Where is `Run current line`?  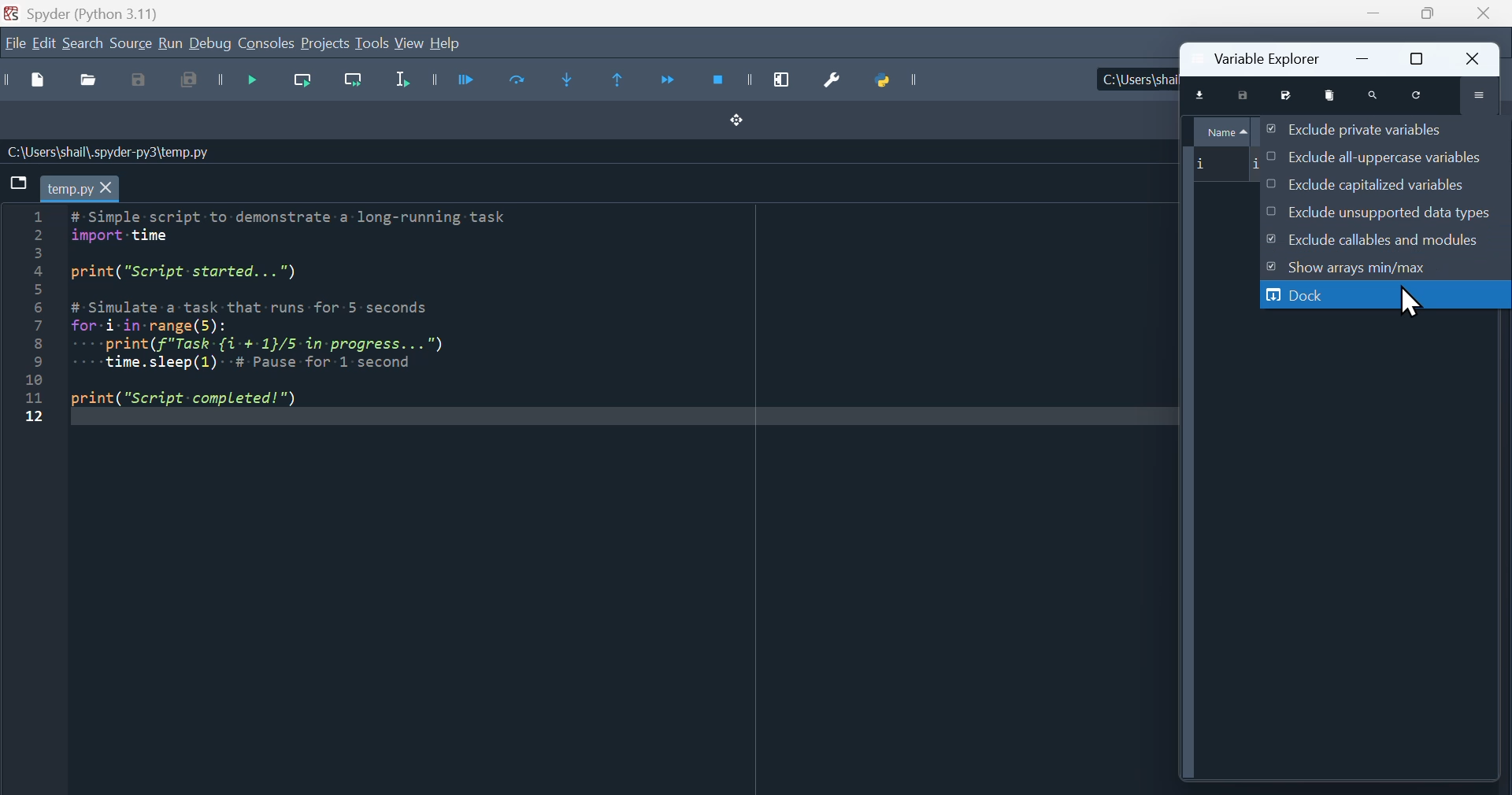
Run current line is located at coordinates (299, 84).